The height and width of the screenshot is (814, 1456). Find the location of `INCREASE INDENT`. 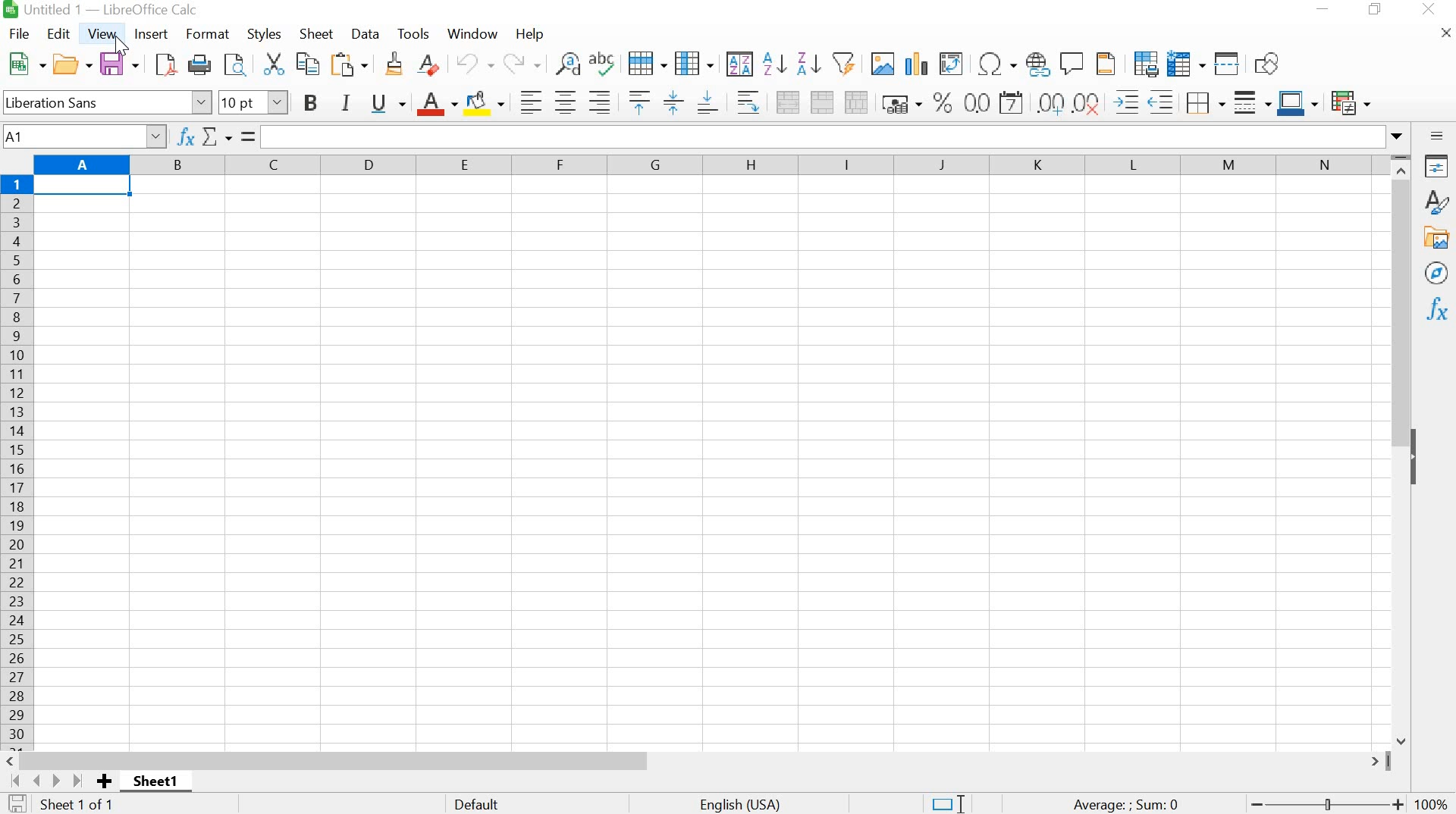

INCREASE INDENT is located at coordinates (1147, 99).